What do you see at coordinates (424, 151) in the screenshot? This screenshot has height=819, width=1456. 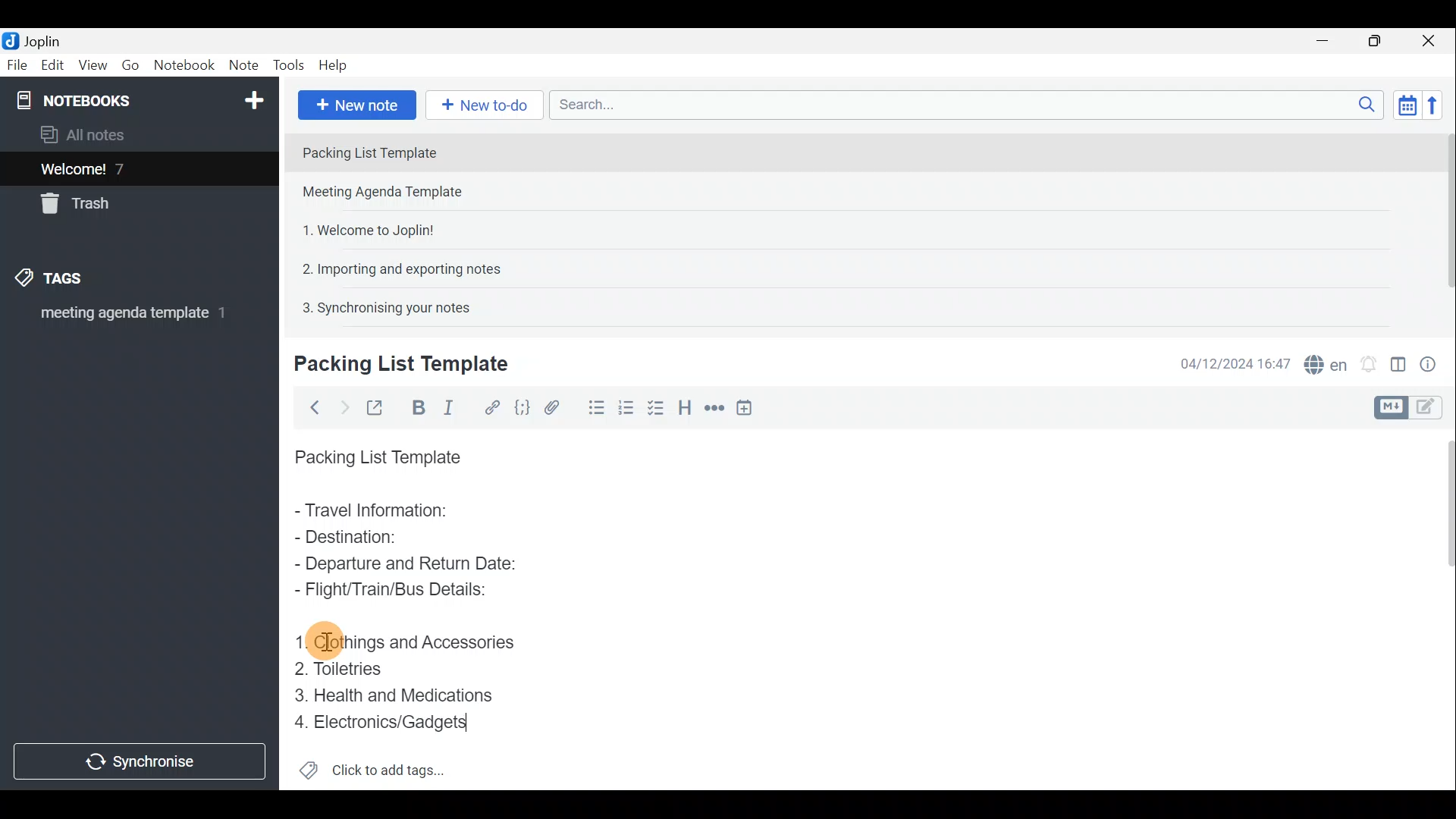 I see `Note 1` at bounding box center [424, 151].